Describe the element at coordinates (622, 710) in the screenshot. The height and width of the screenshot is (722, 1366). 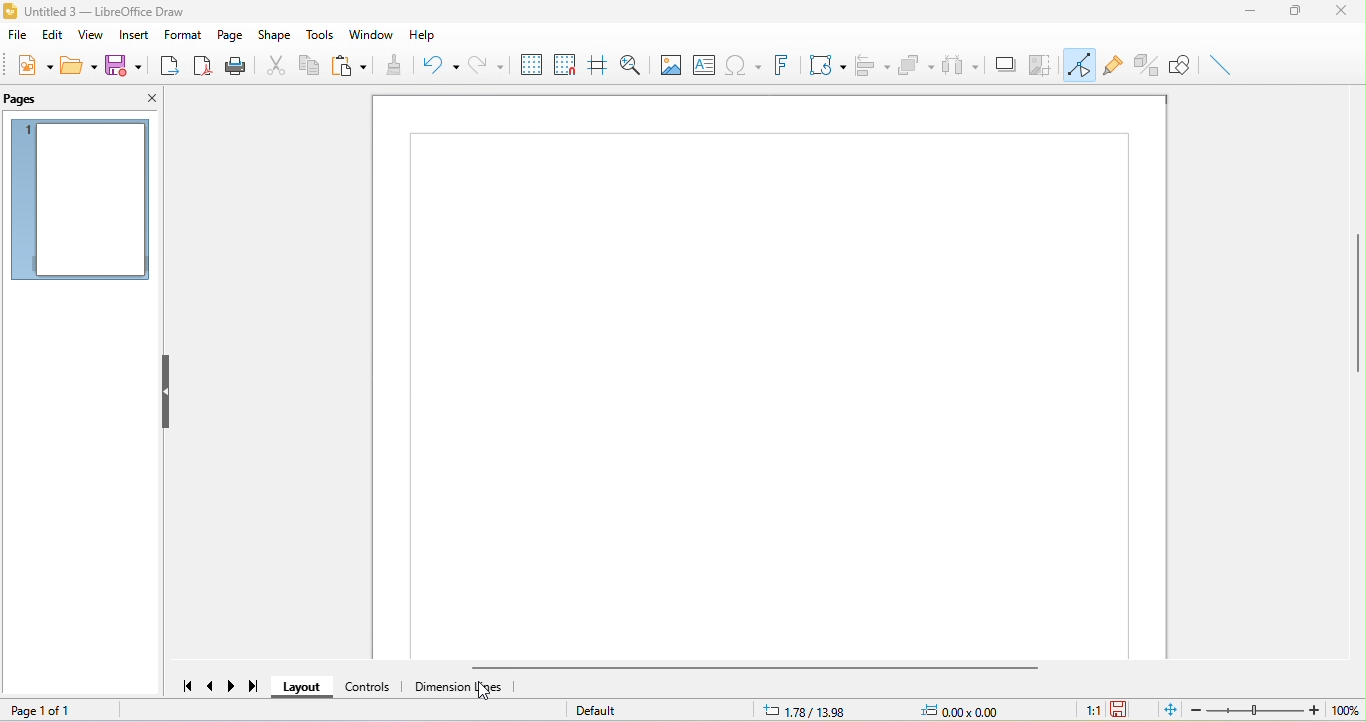
I see `default` at that location.